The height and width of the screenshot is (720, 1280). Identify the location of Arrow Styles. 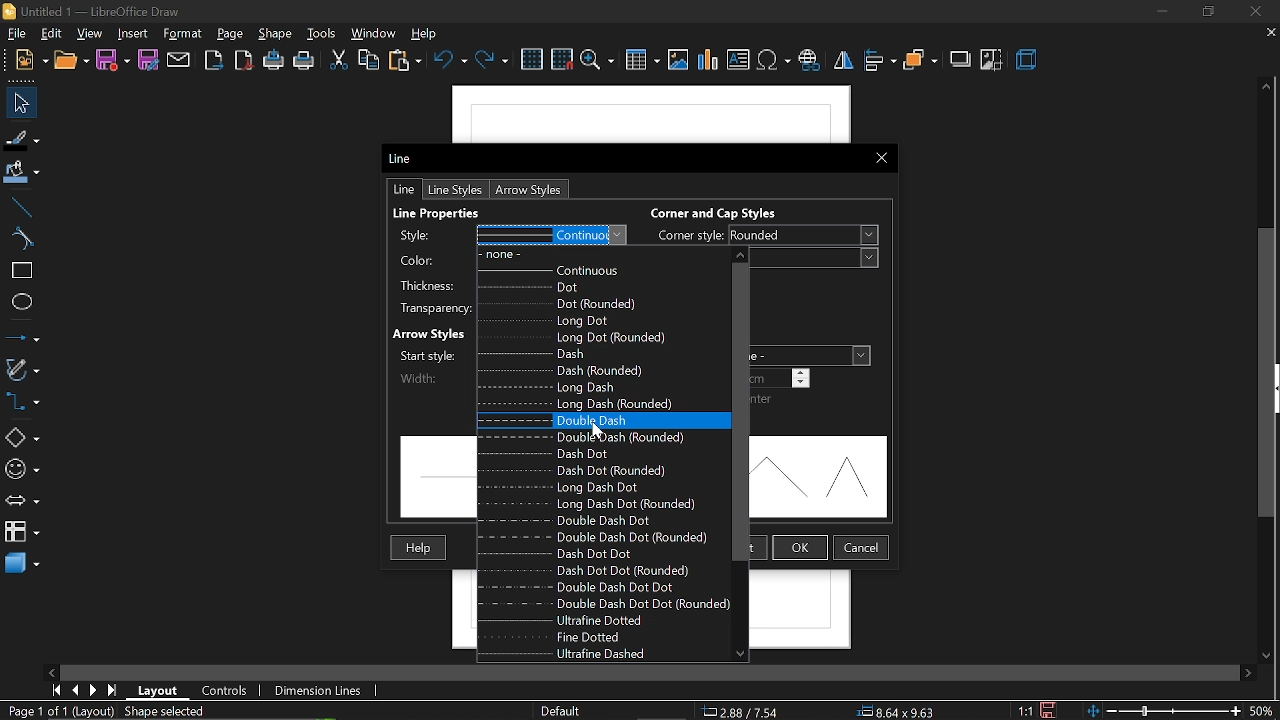
(432, 332).